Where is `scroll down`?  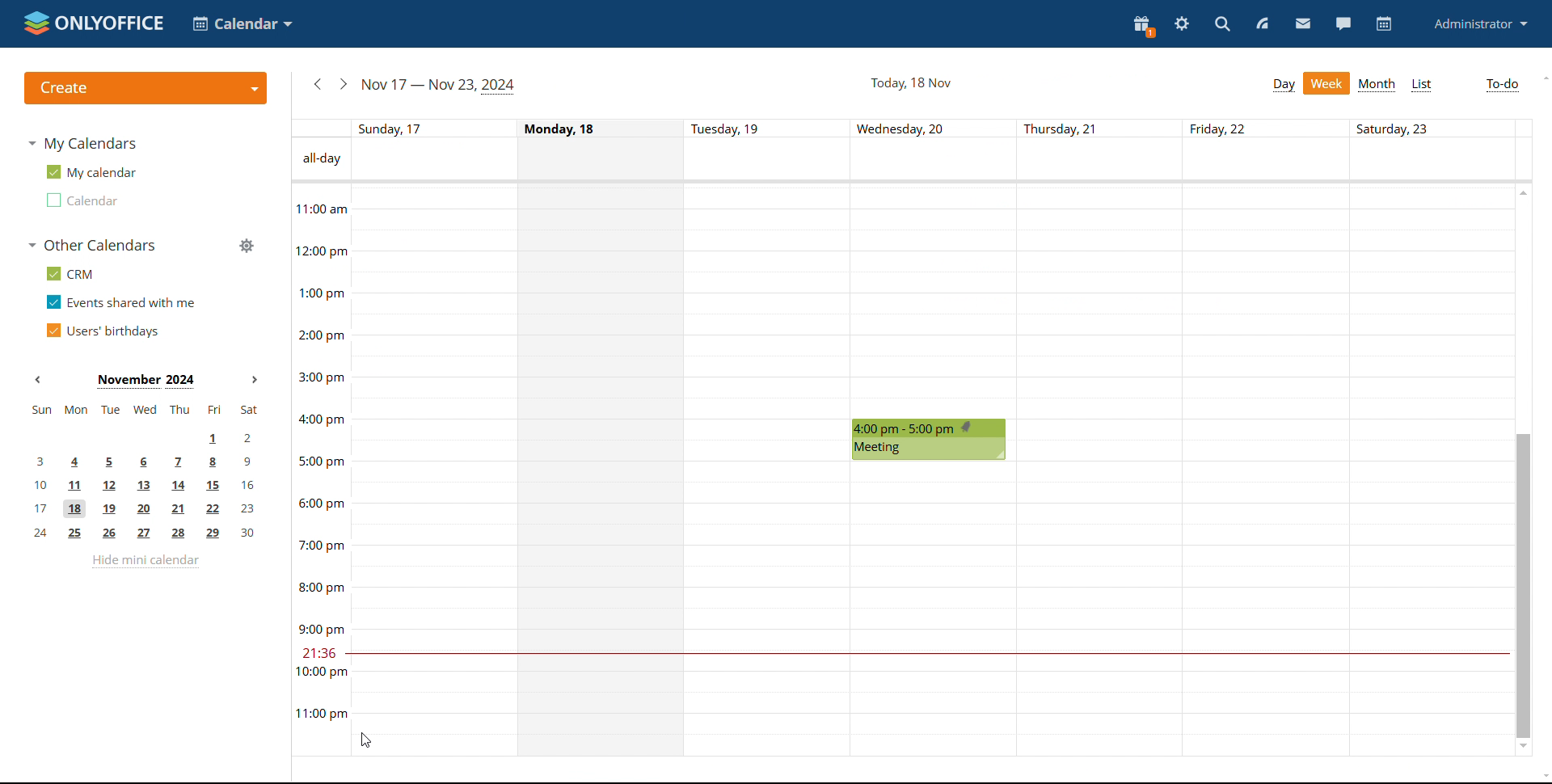
scroll down is located at coordinates (1525, 748).